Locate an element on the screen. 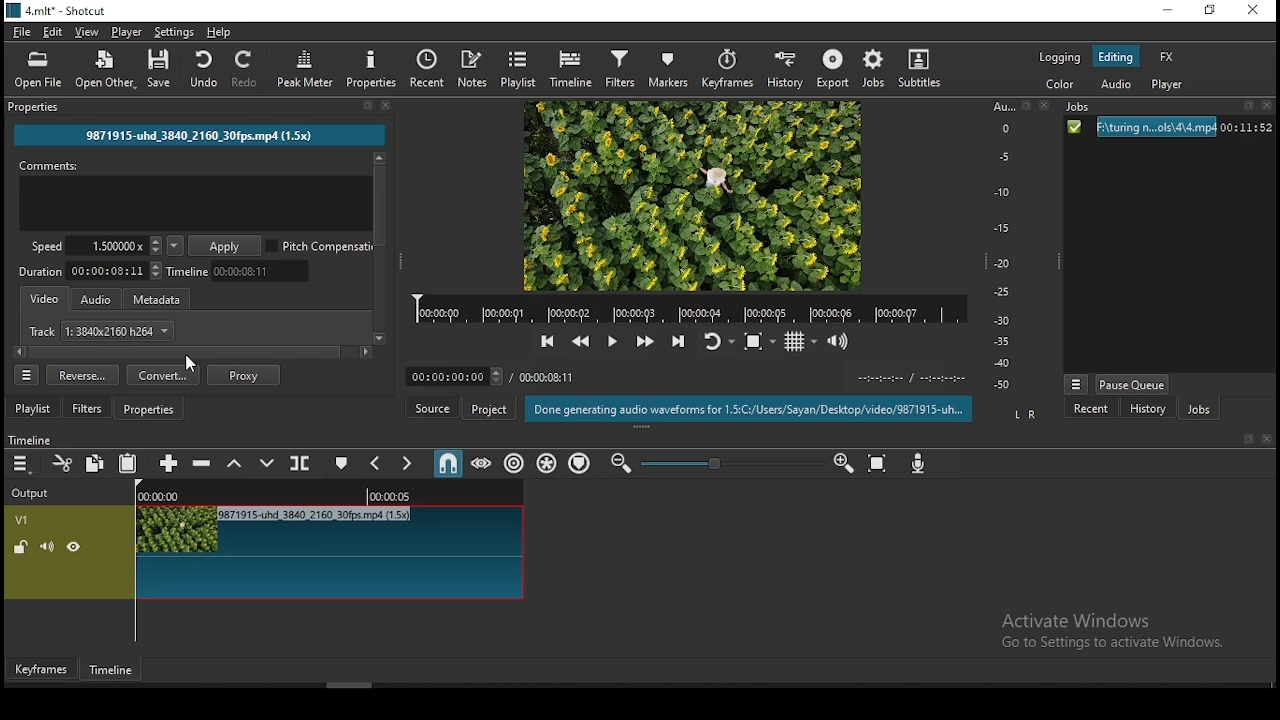 This screenshot has height=720, width=1280. bookmark is located at coordinates (1249, 108).